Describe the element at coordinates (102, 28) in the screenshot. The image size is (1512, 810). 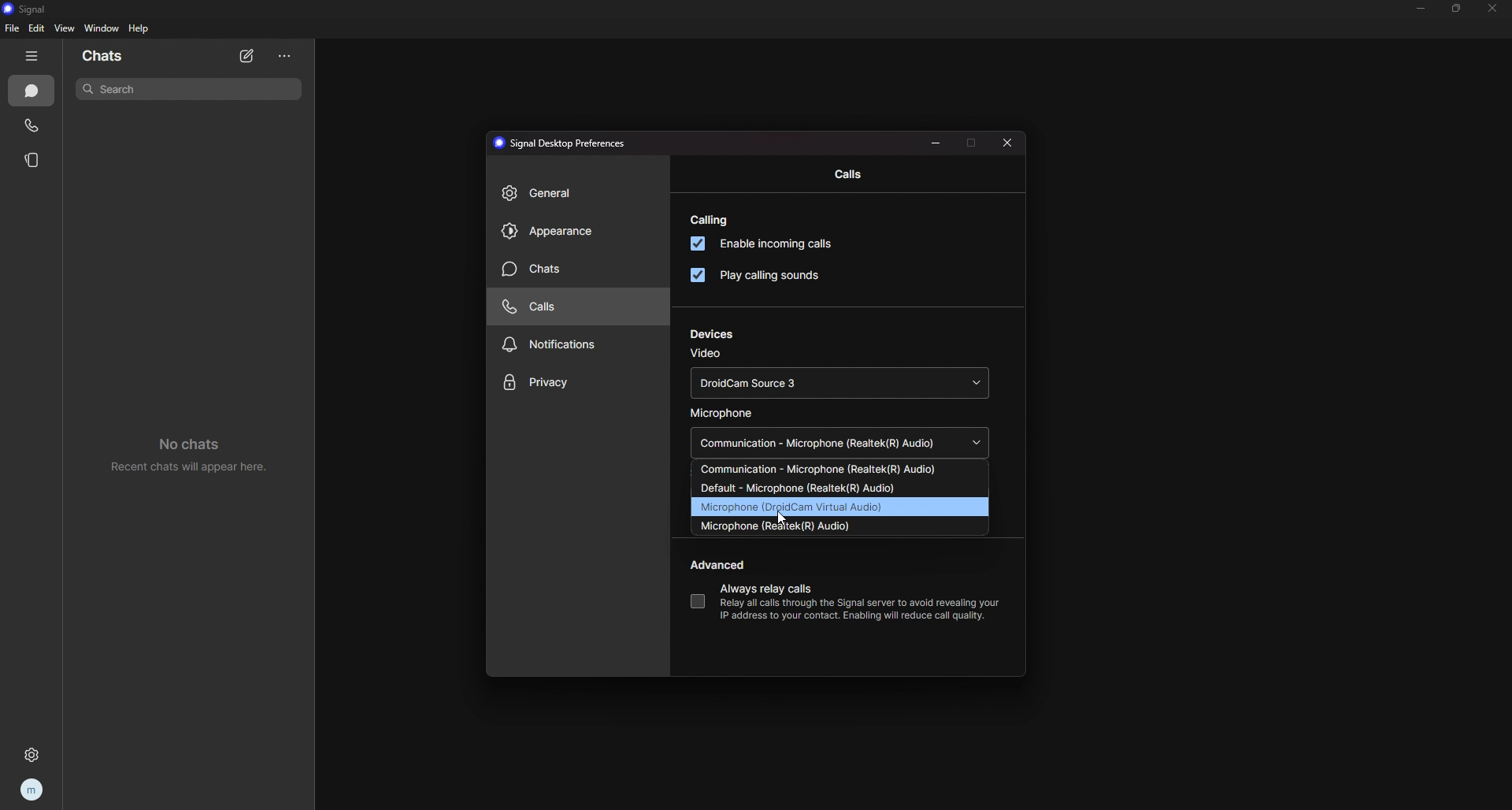
I see `window` at that location.